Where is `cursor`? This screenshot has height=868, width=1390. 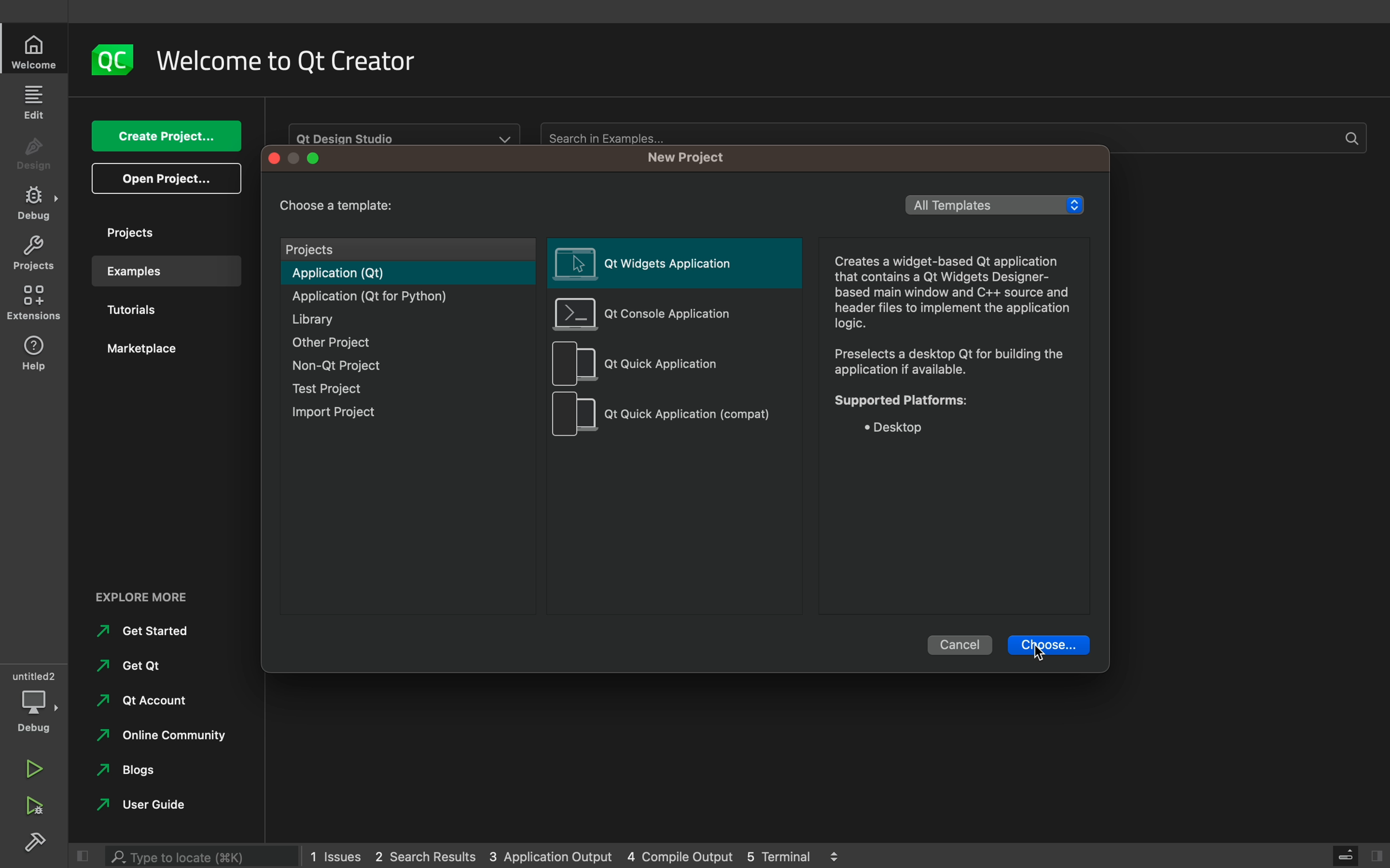 cursor is located at coordinates (1035, 654).